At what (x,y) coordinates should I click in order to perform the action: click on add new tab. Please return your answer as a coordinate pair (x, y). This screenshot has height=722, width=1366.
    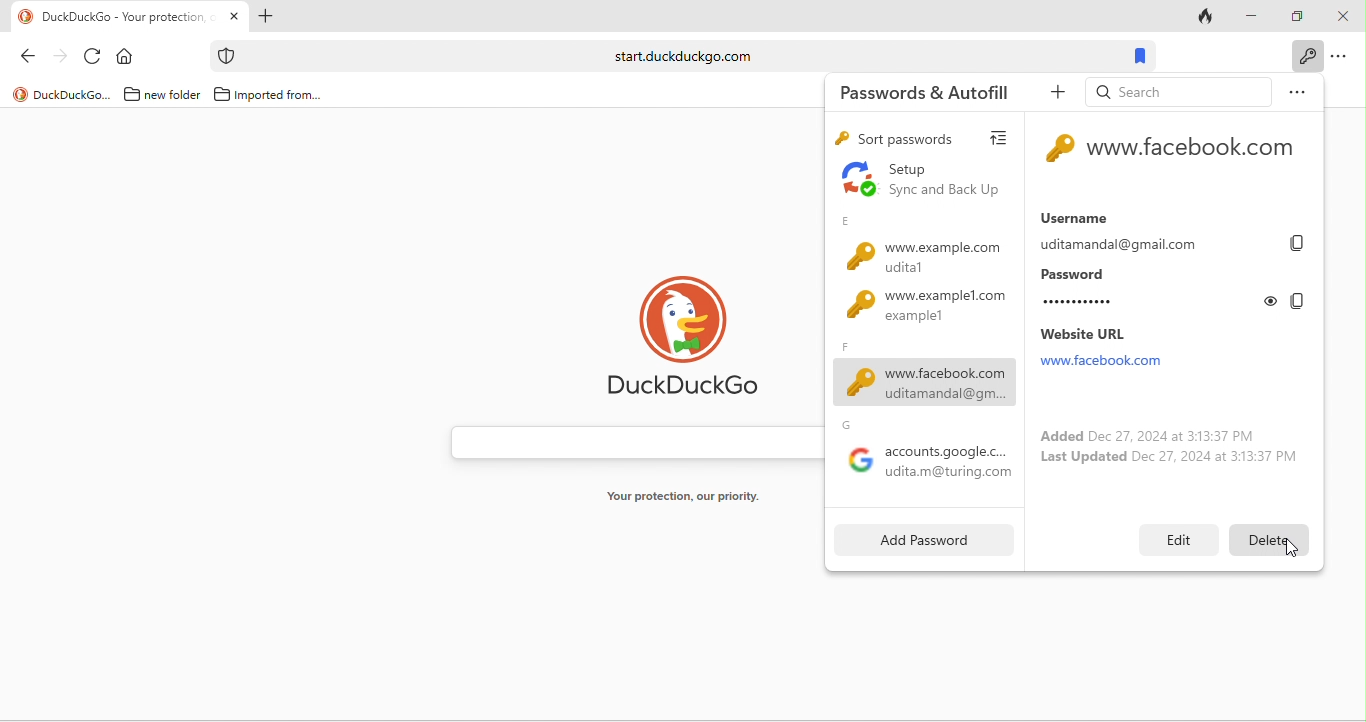
    Looking at the image, I should click on (265, 18).